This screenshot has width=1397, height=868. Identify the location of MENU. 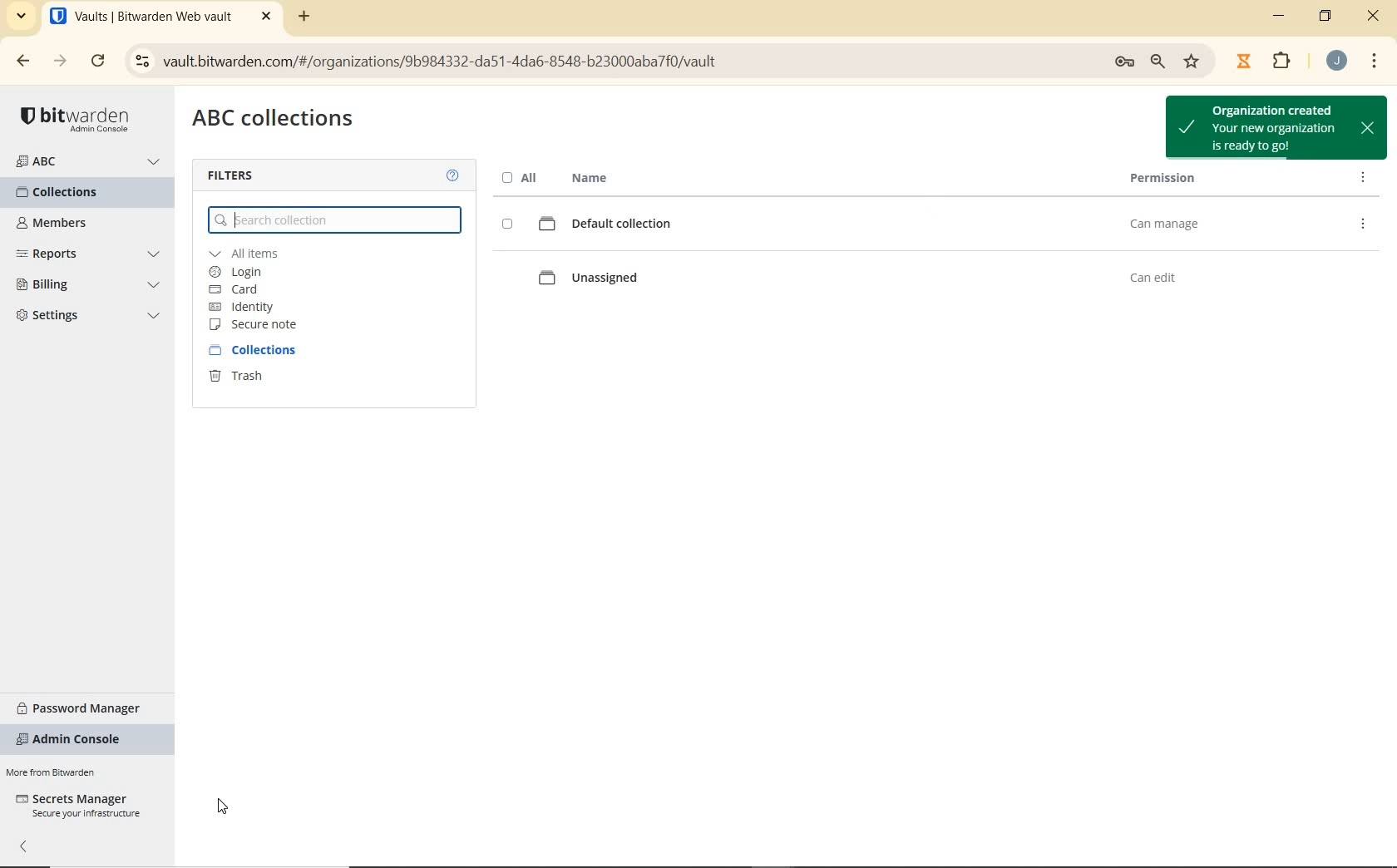
(1375, 58).